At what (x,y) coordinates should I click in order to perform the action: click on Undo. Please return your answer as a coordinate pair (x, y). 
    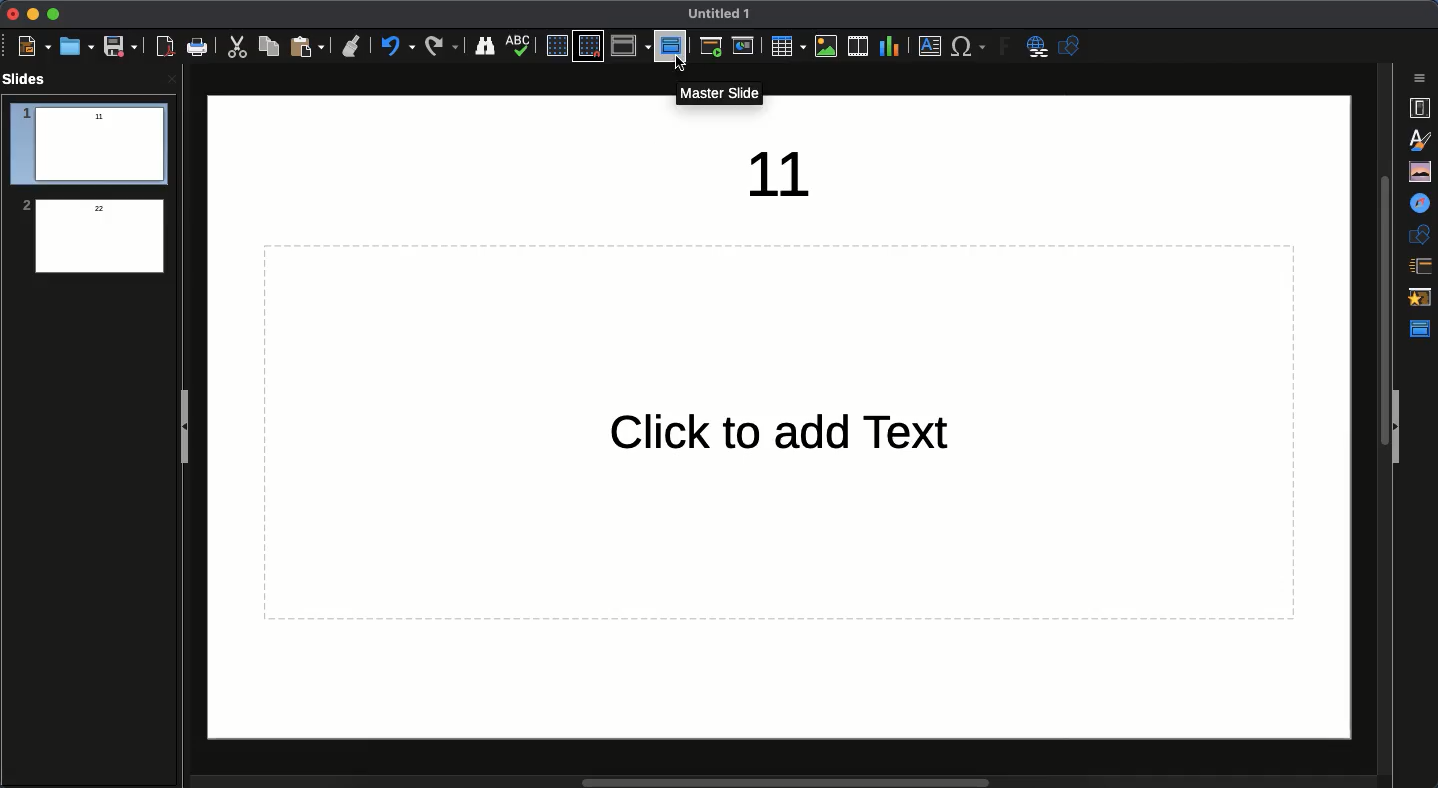
    Looking at the image, I should click on (397, 46).